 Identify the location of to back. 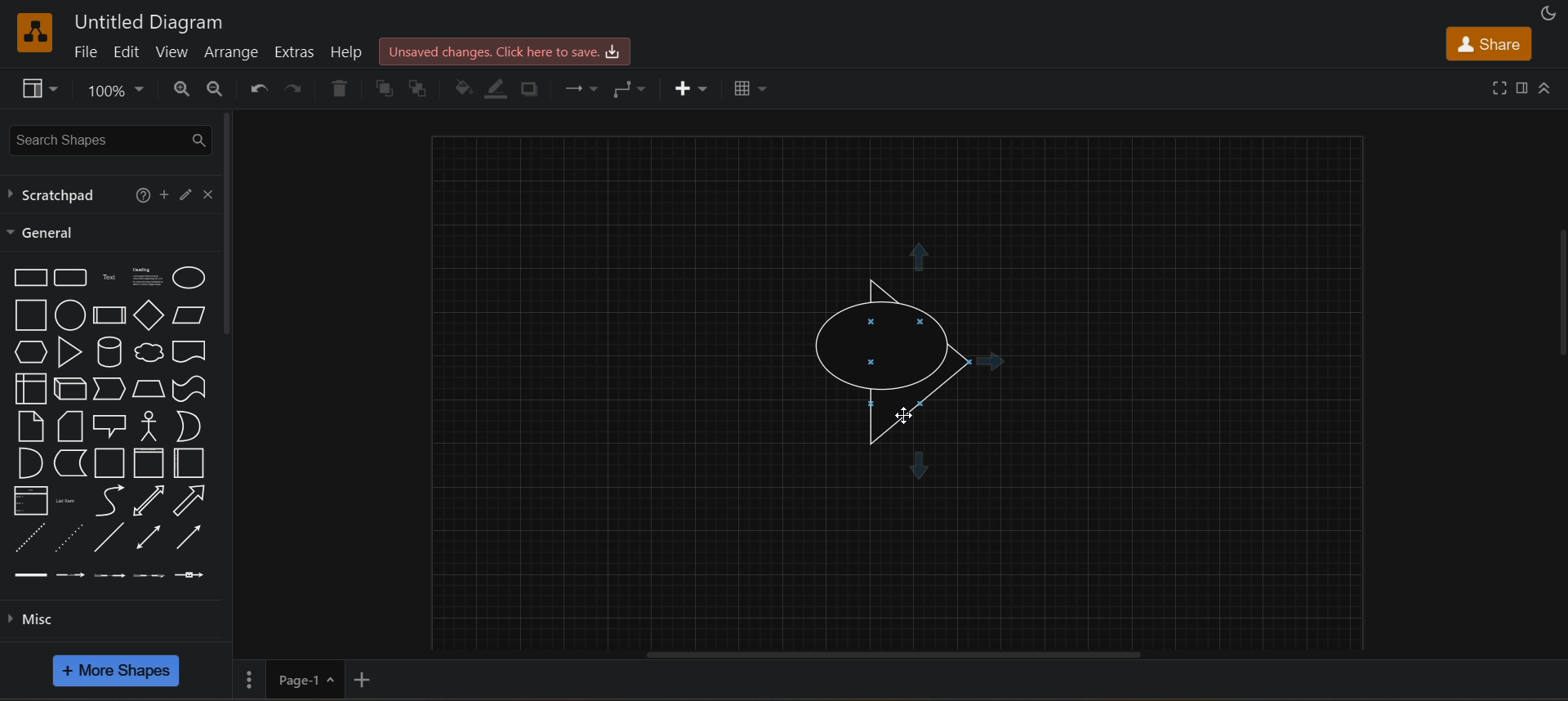
(421, 86).